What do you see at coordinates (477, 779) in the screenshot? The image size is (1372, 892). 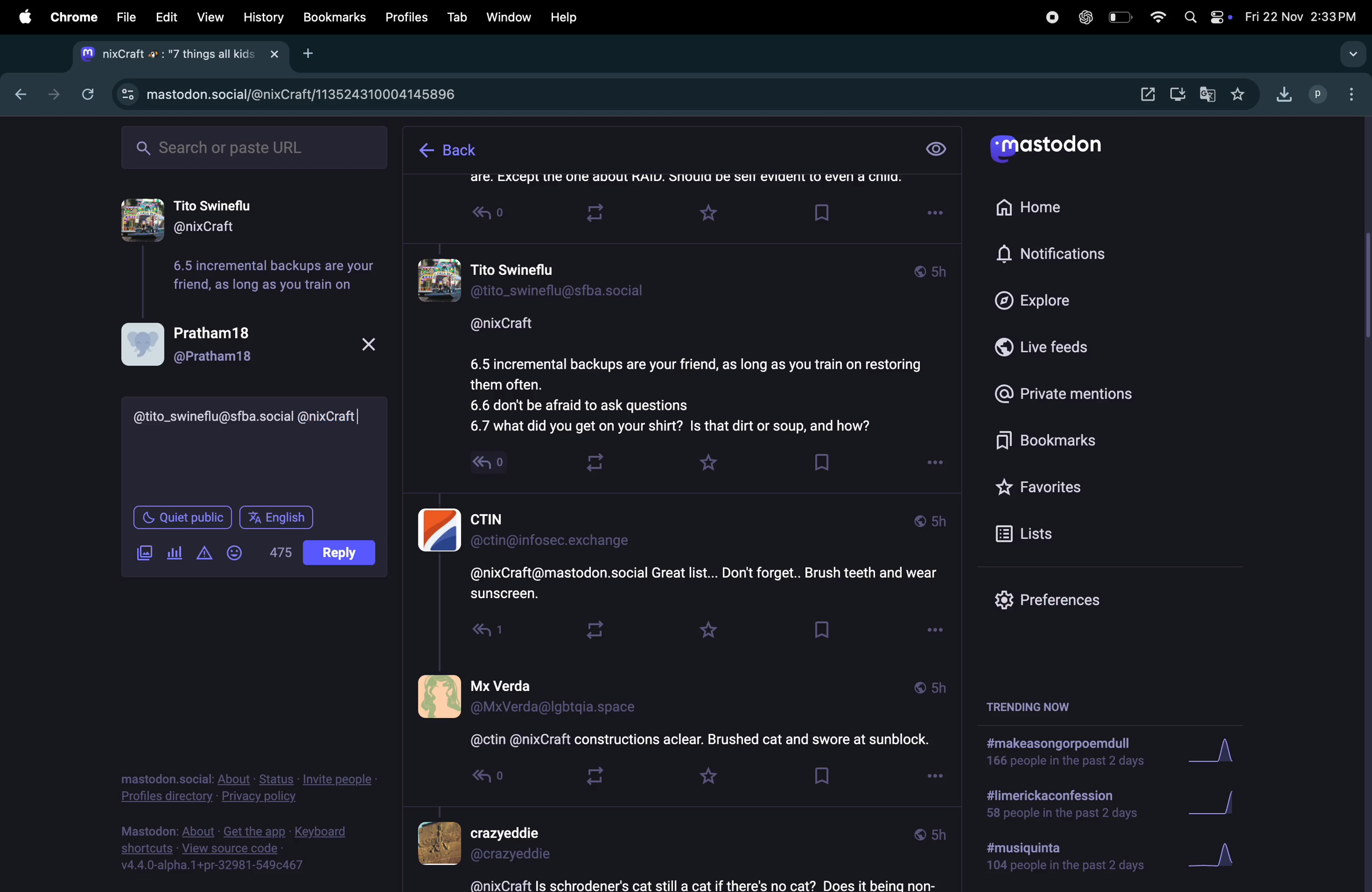 I see `Read` at bounding box center [477, 779].